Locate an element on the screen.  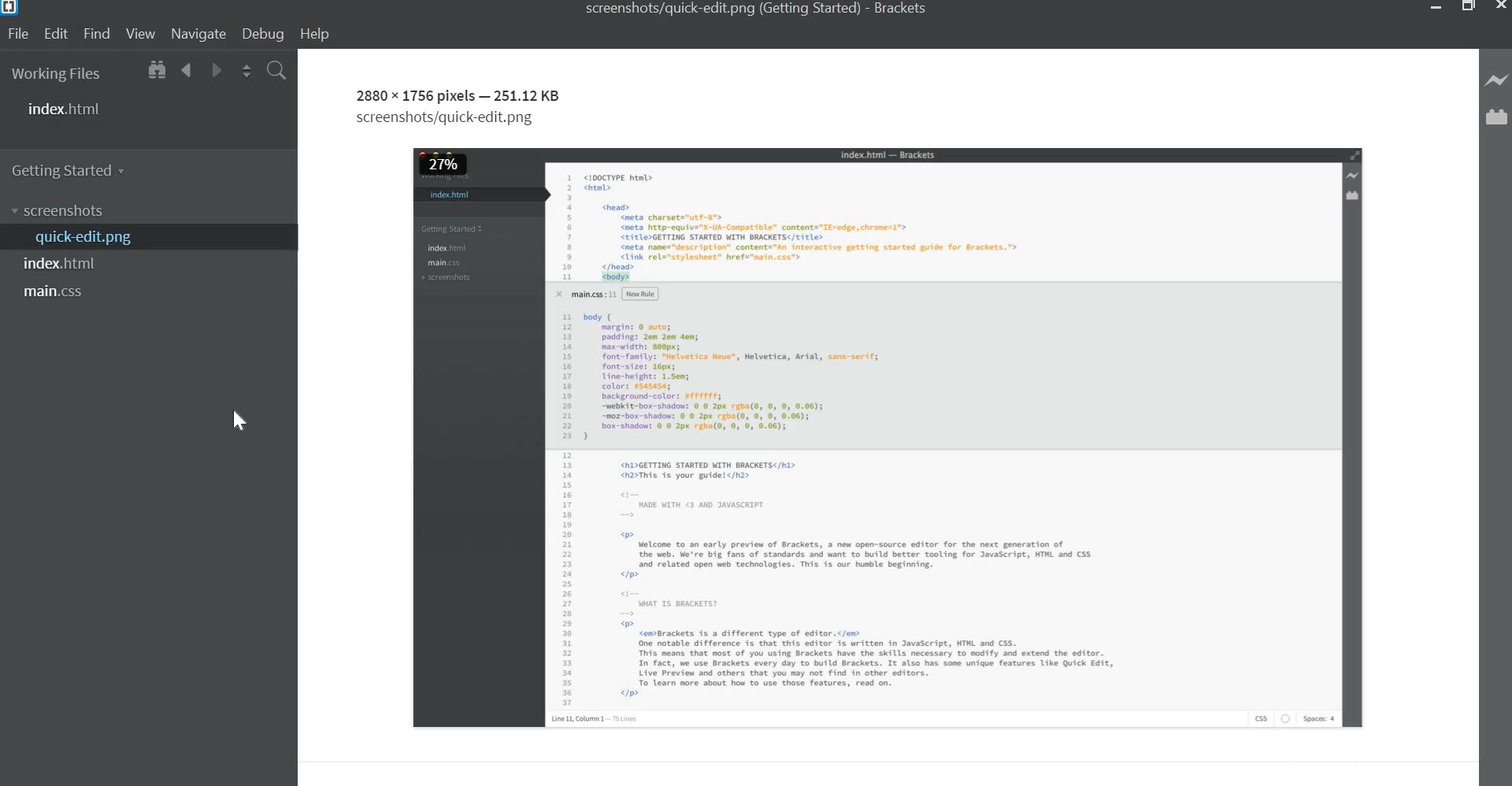
minimize is located at coordinates (1436, 9).